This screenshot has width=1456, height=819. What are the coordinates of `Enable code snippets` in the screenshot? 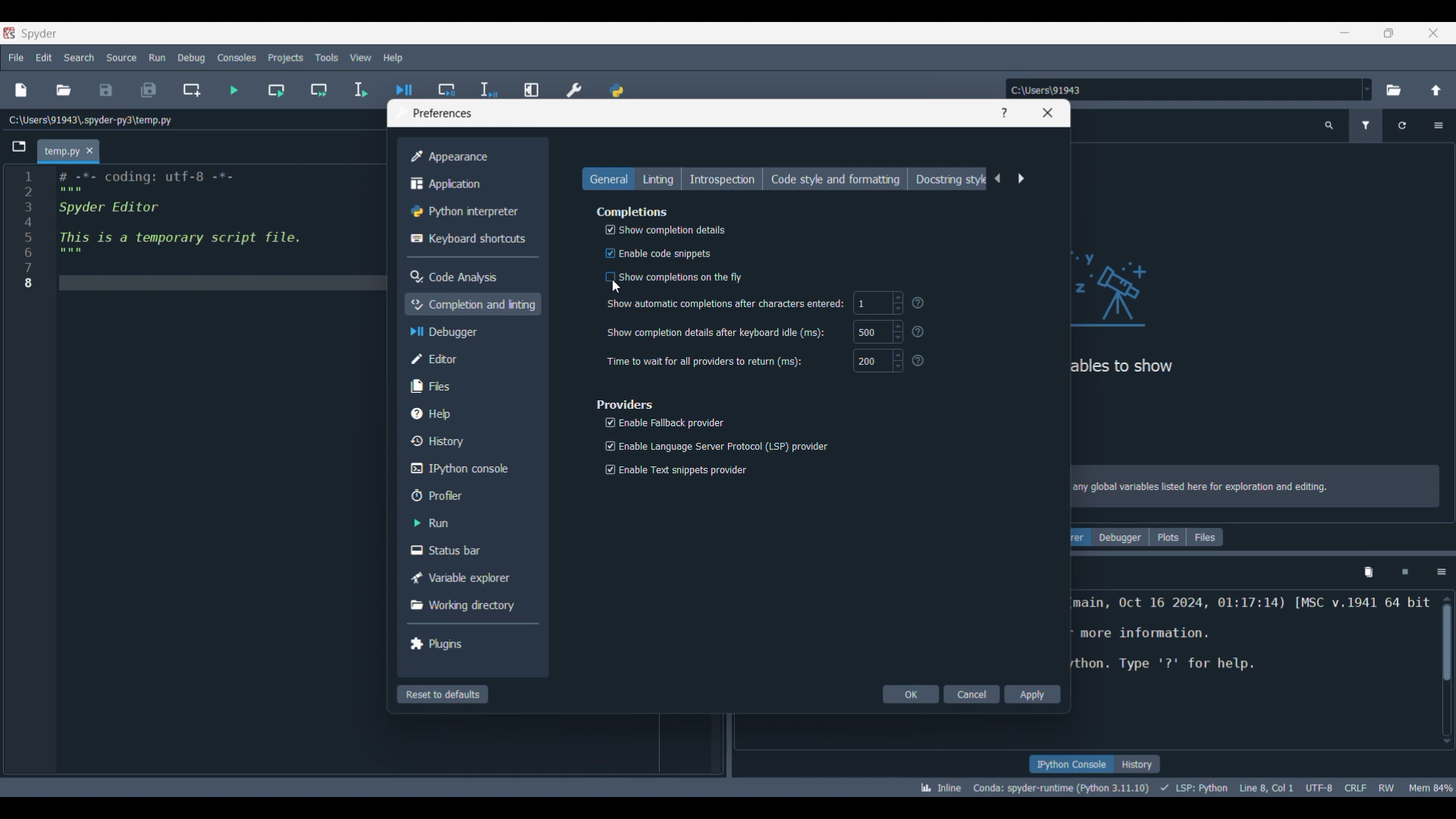 It's located at (654, 253).